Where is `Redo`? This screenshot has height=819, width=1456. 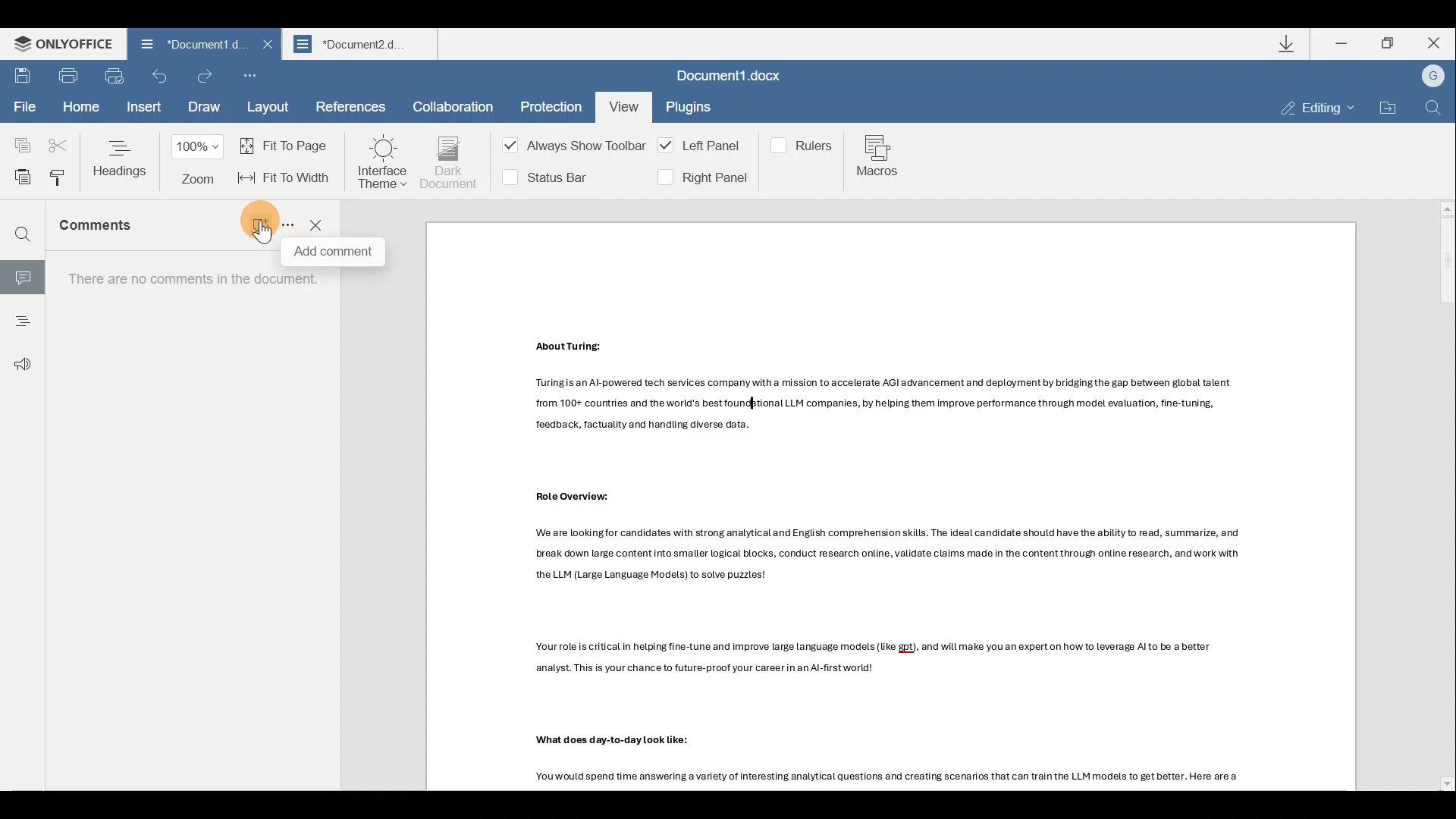 Redo is located at coordinates (206, 76).